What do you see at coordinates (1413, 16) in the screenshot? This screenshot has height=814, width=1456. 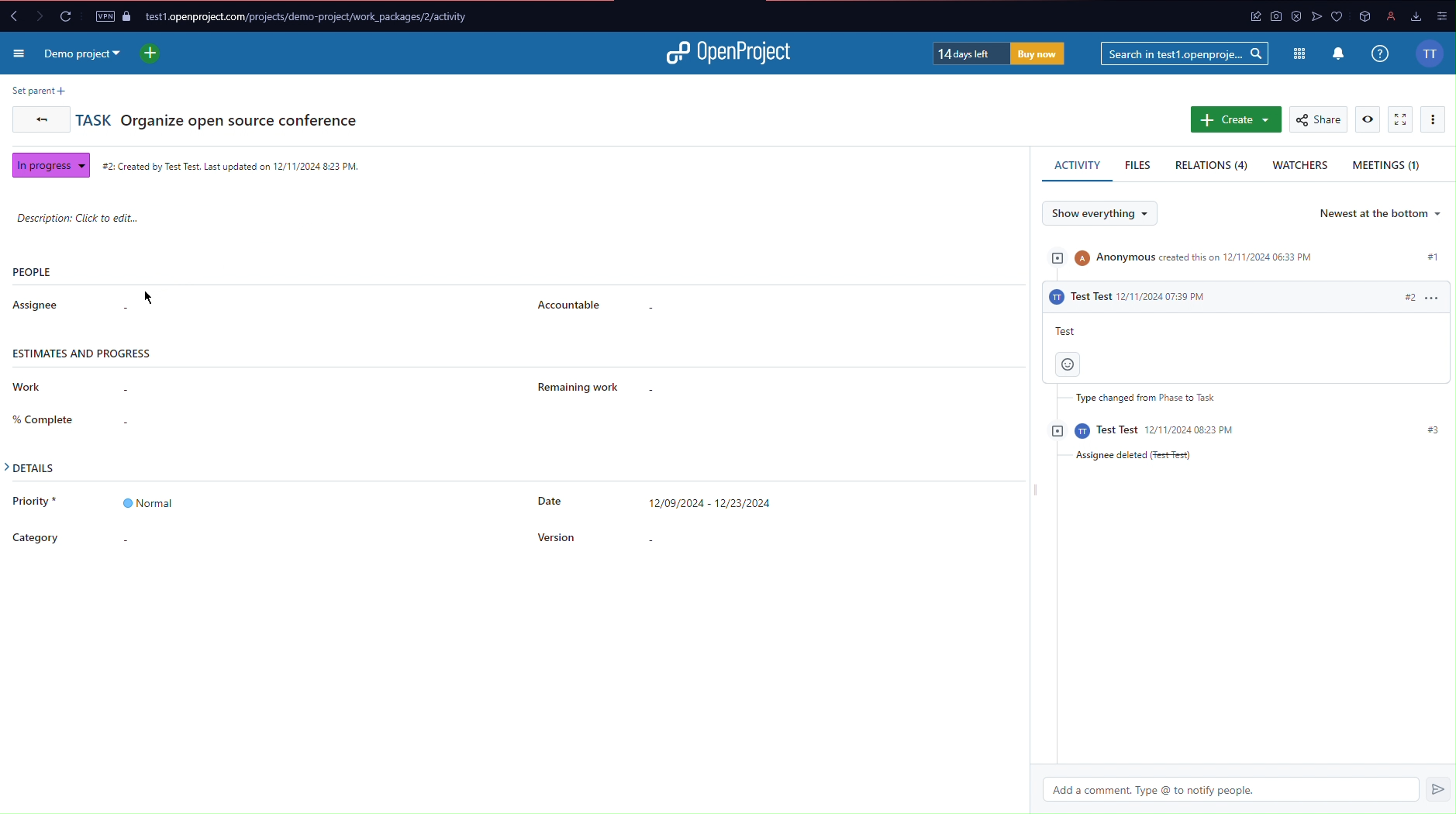 I see `downloads` at bounding box center [1413, 16].